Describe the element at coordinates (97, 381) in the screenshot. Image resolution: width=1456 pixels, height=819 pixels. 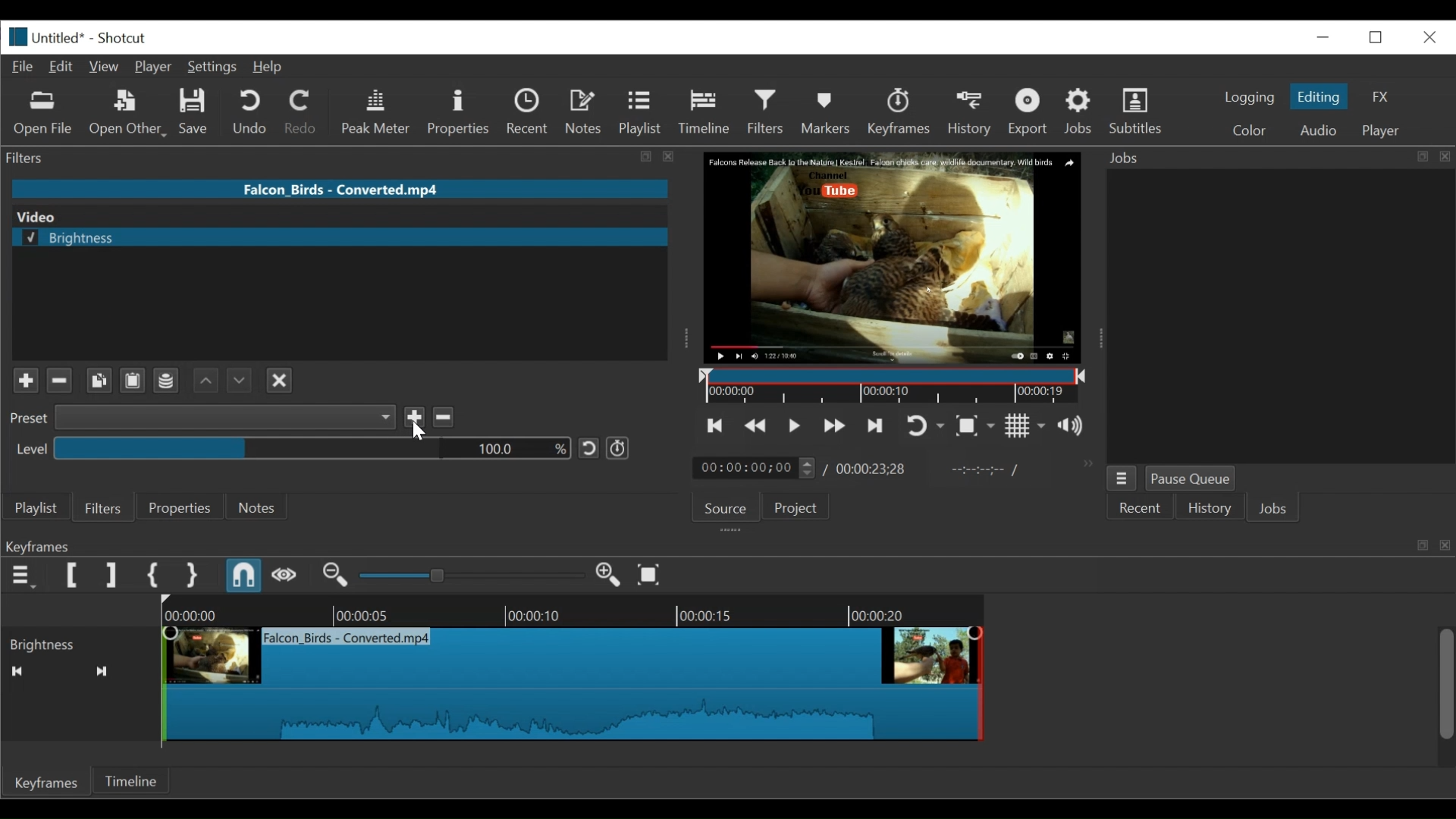
I see `Copy` at that location.